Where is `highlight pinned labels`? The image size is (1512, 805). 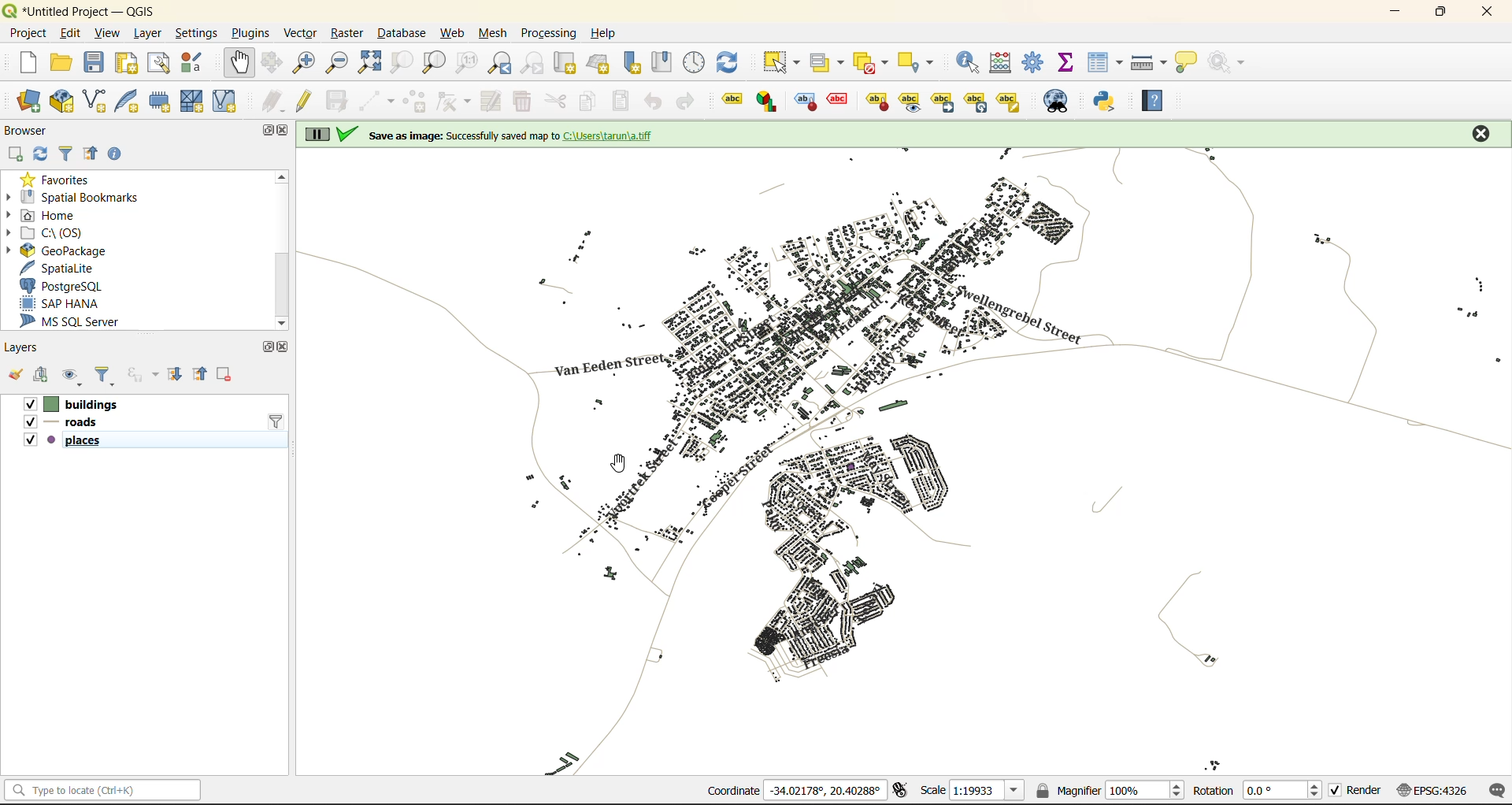 highlight pinned labels is located at coordinates (731, 101).